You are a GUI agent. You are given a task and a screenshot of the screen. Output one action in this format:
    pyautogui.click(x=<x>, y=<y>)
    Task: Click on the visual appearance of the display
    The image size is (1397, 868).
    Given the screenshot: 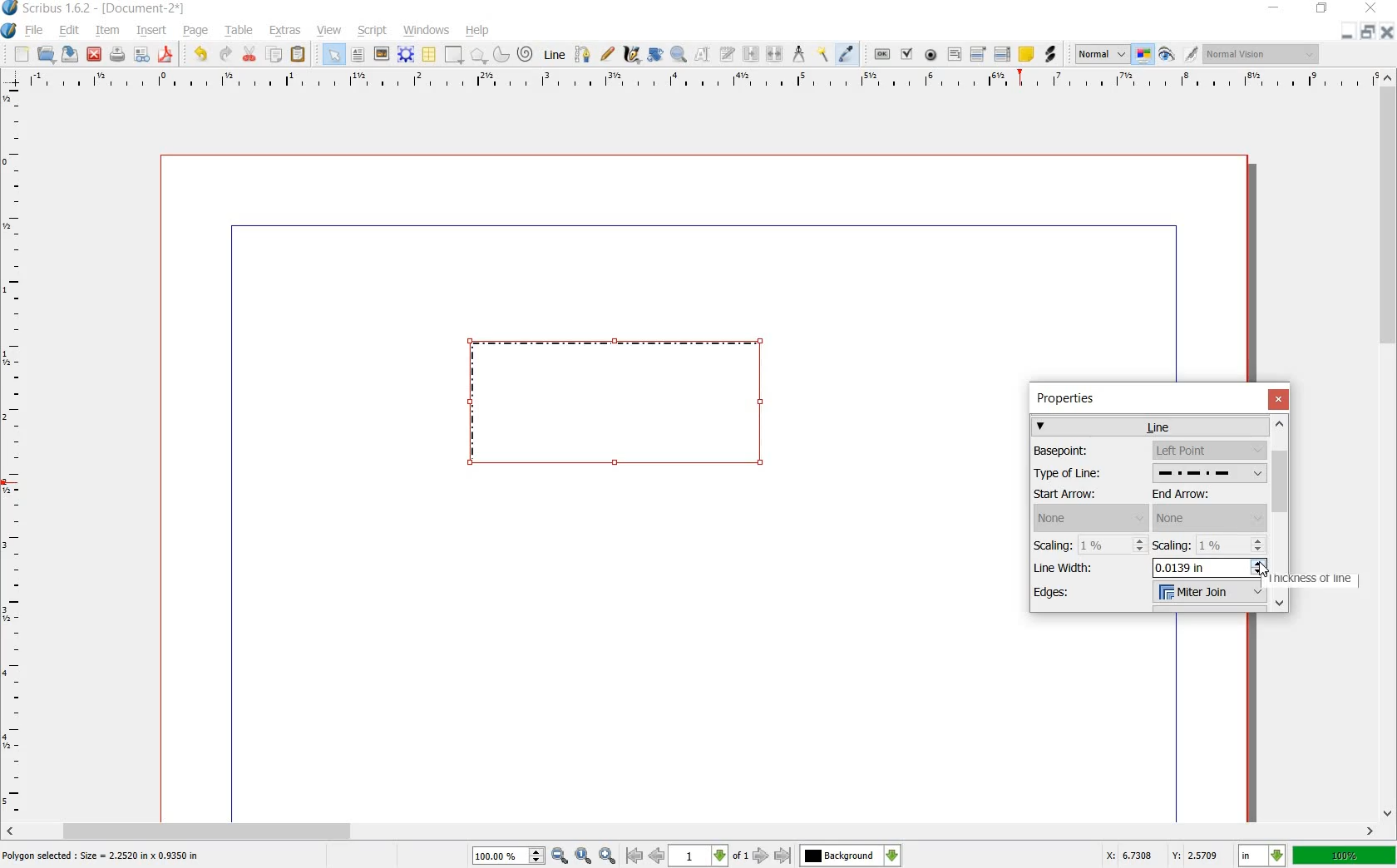 What is the action you would take?
    pyautogui.click(x=1260, y=54)
    